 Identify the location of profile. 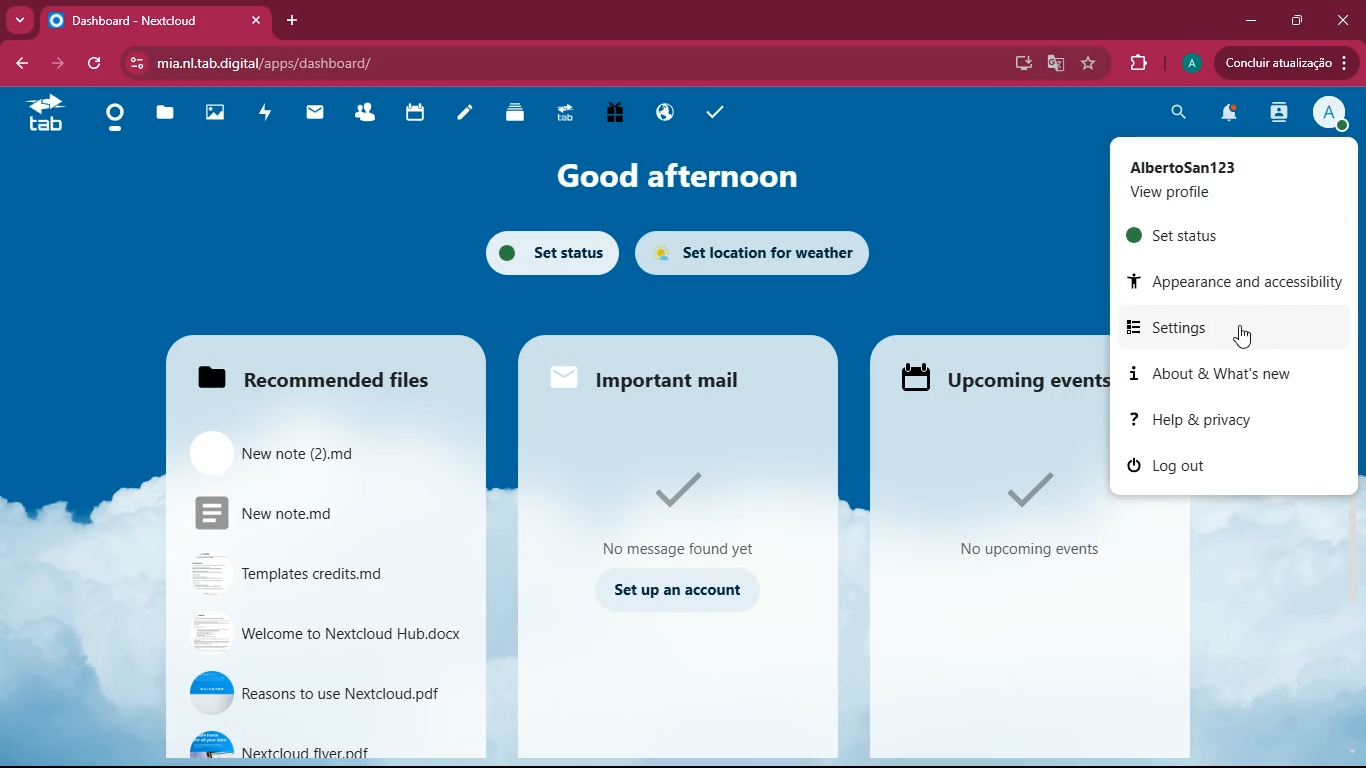
(1331, 112).